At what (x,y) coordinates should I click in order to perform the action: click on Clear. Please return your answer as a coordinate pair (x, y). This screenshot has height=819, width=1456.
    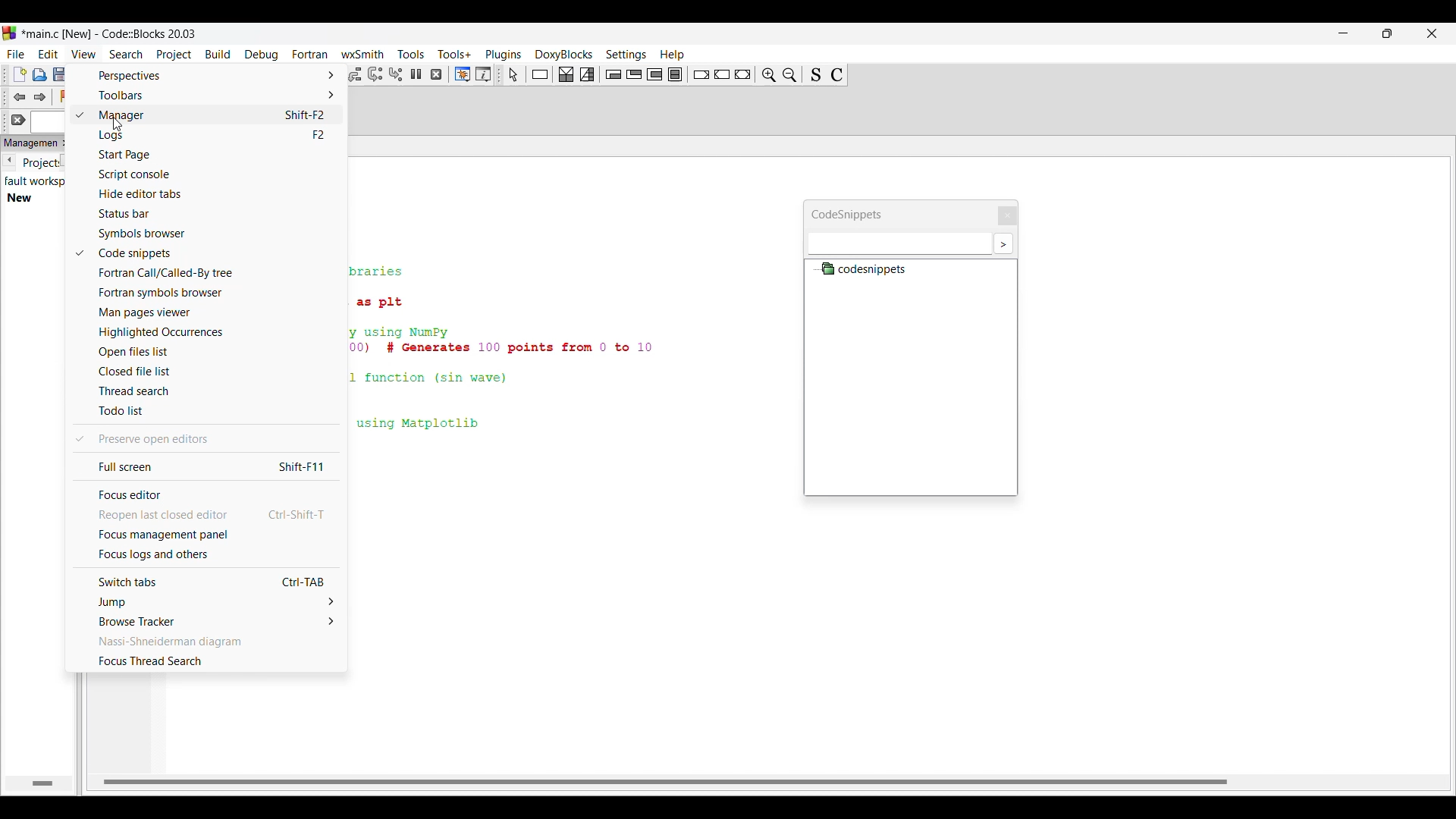
    Looking at the image, I should click on (19, 120).